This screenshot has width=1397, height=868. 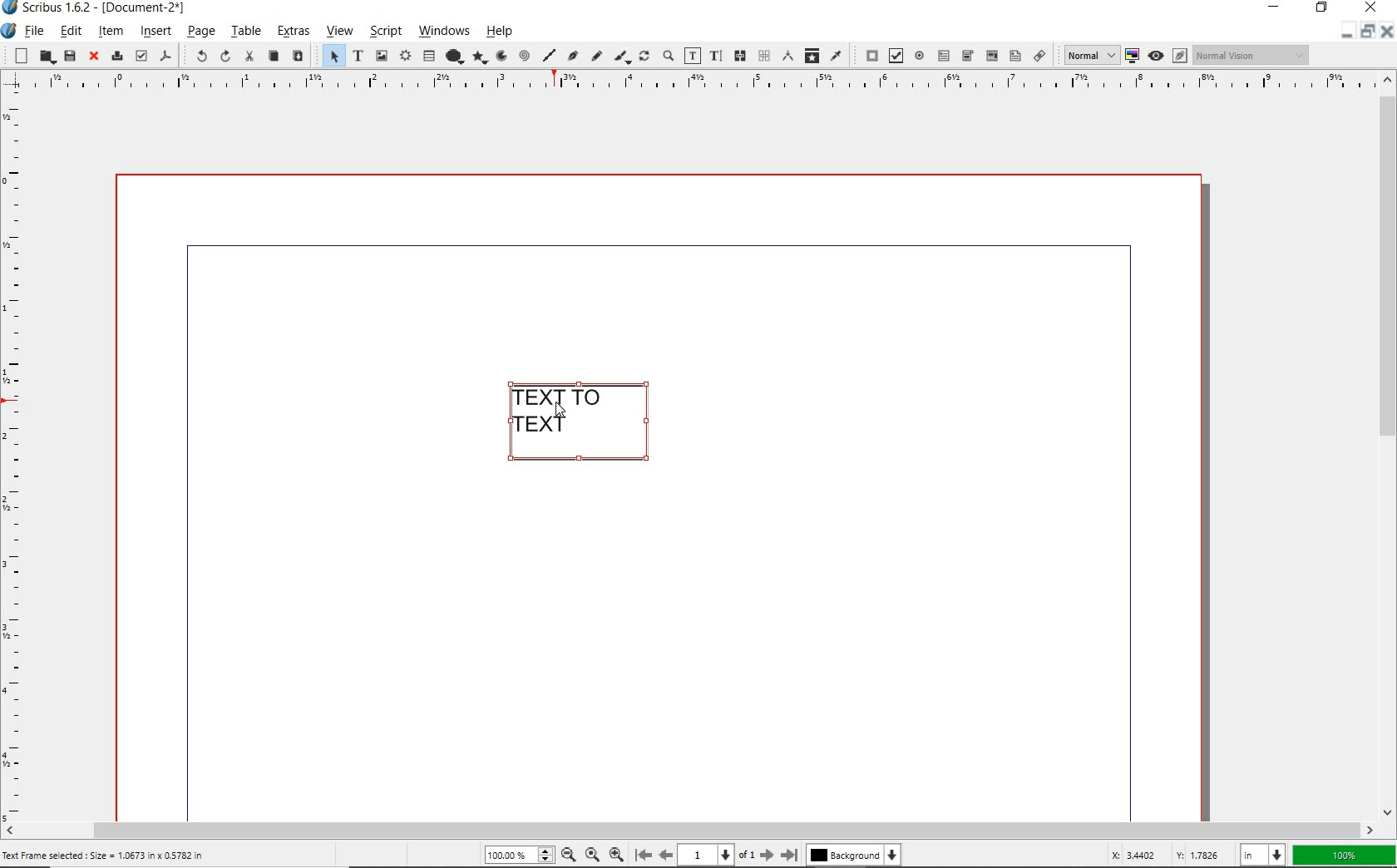 I want to click on preflight verifier, so click(x=141, y=57).